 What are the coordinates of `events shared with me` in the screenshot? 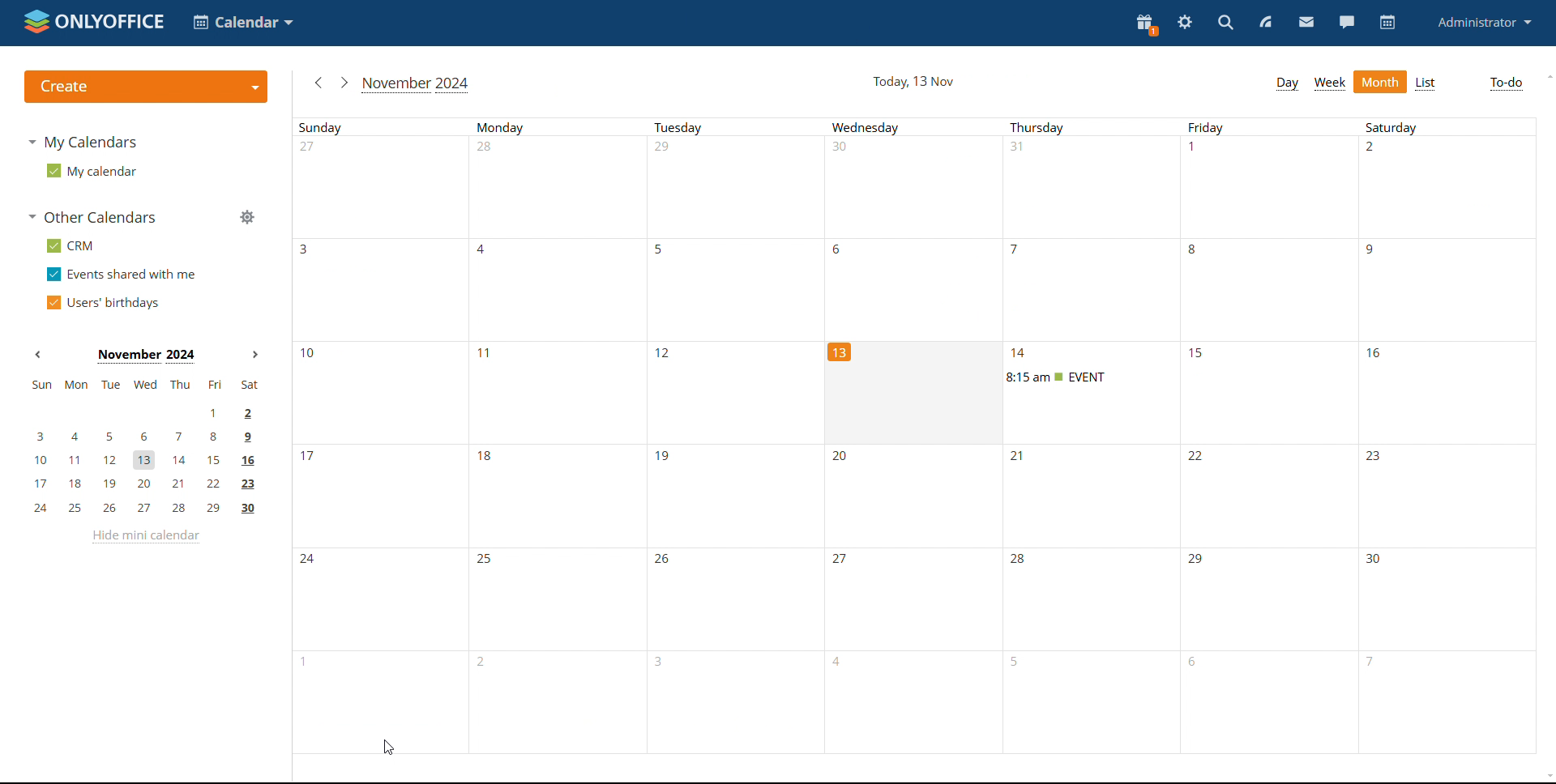 It's located at (120, 275).